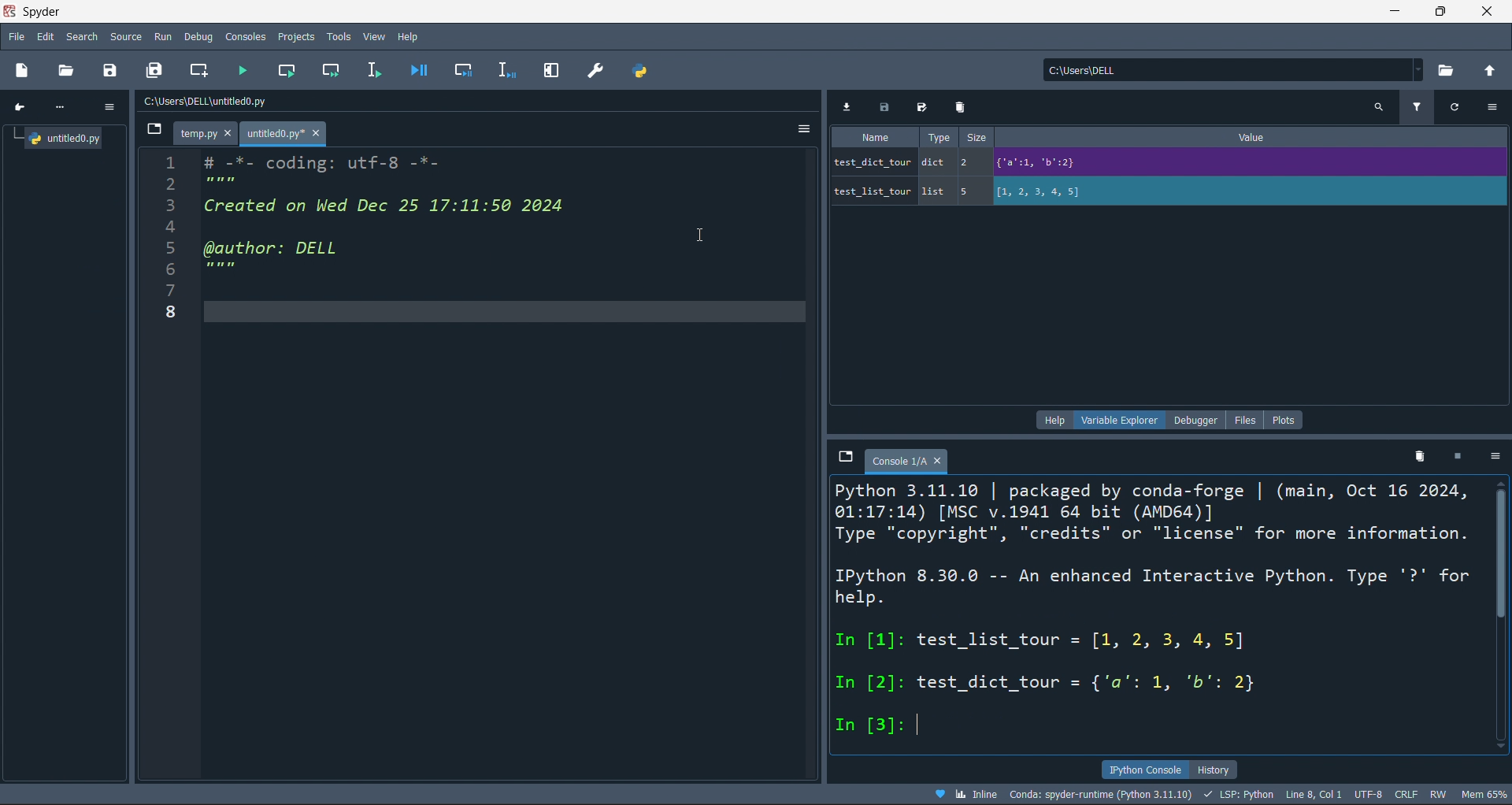 The height and width of the screenshot is (805, 1512). What do you see at coordinates (1453, 69) in the screenshot?
I see `open directory` at bounding box center [1453, 69].